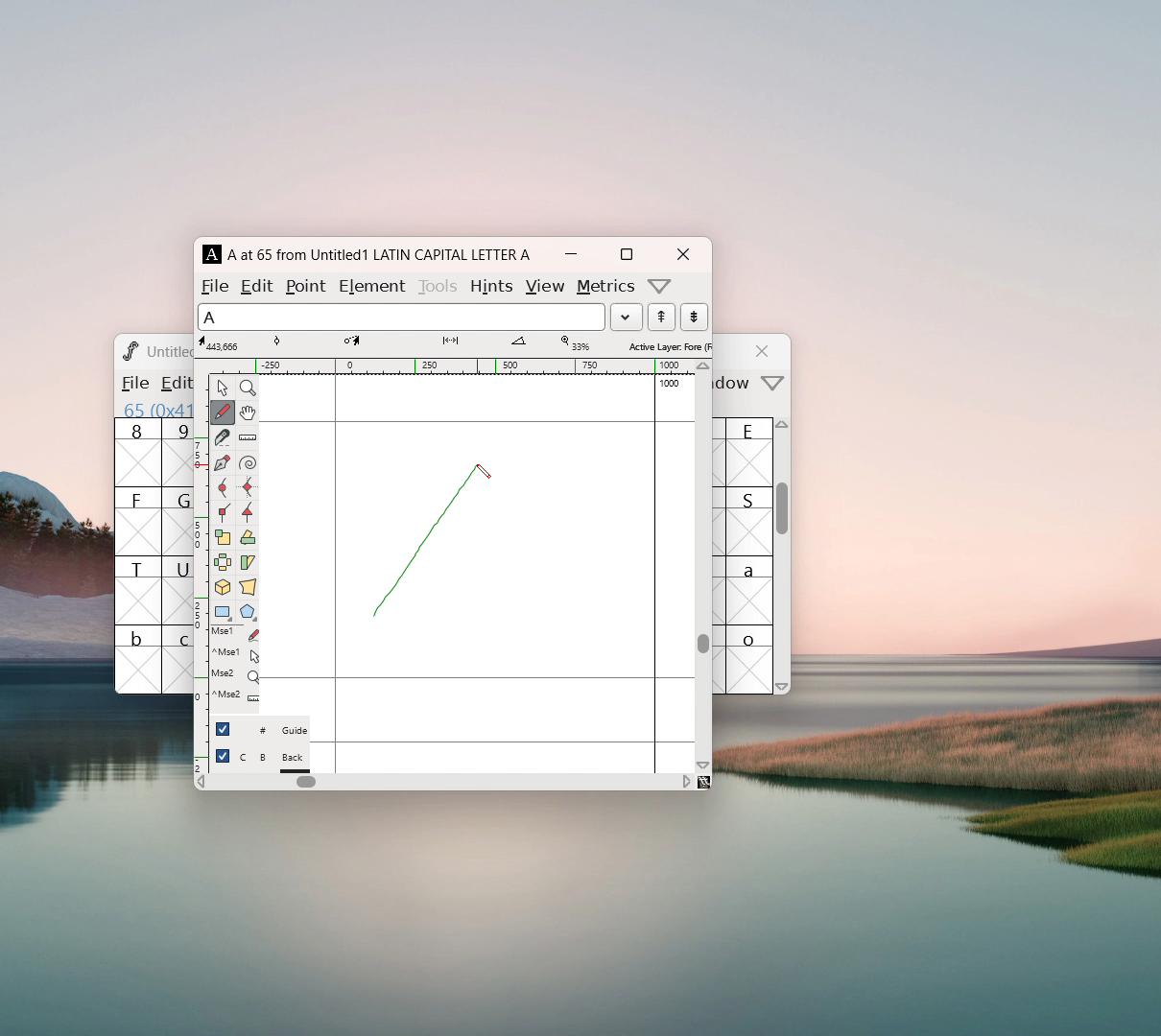 This screenshot has height=1036, width=1161. I want to click on cursor, so click(485, 472).